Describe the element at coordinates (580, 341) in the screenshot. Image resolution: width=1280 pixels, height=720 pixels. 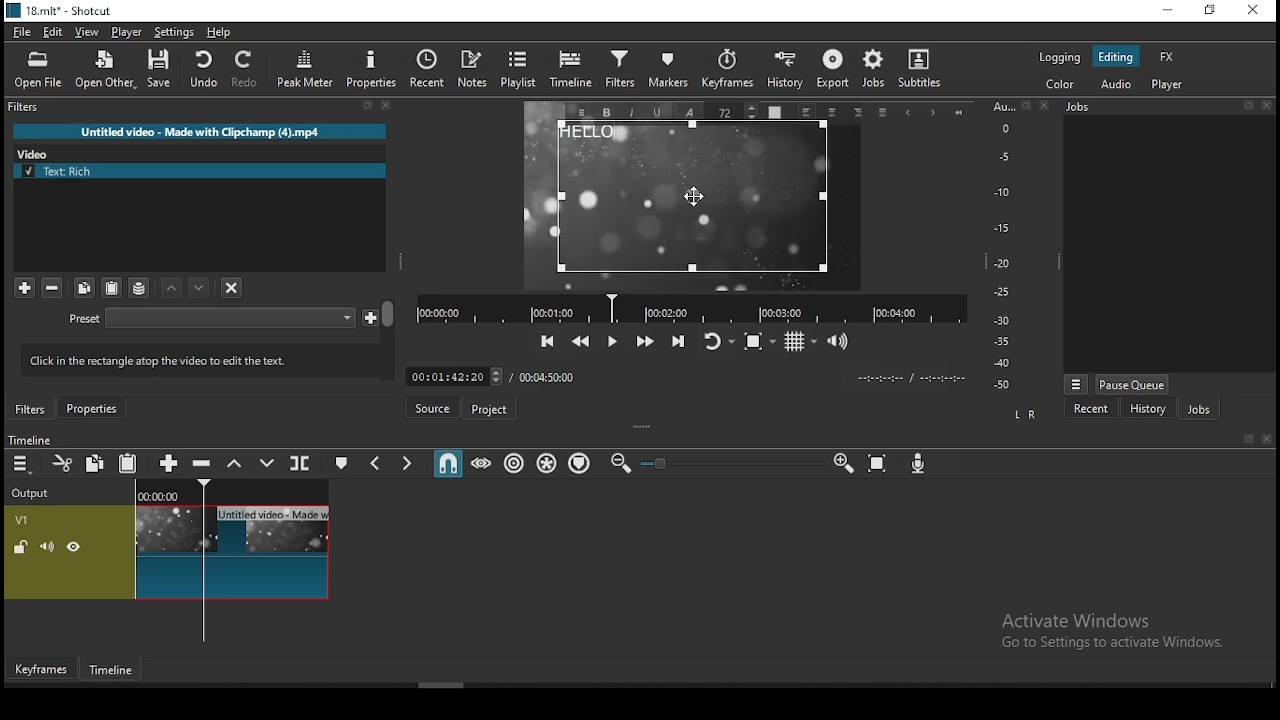
I see `play quickly backwards` at that location.